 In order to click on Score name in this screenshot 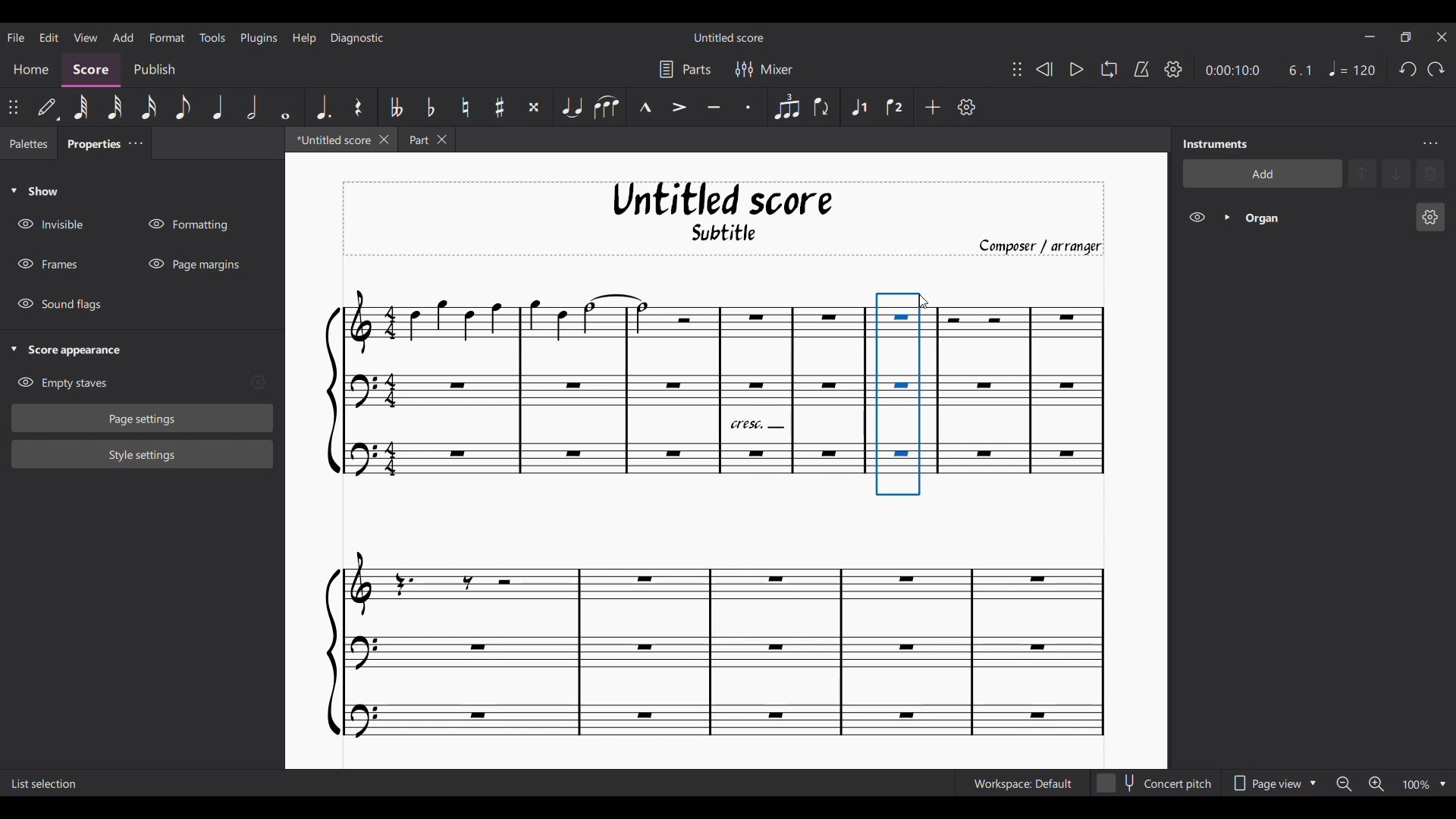, I will do `click(730, 37)`.